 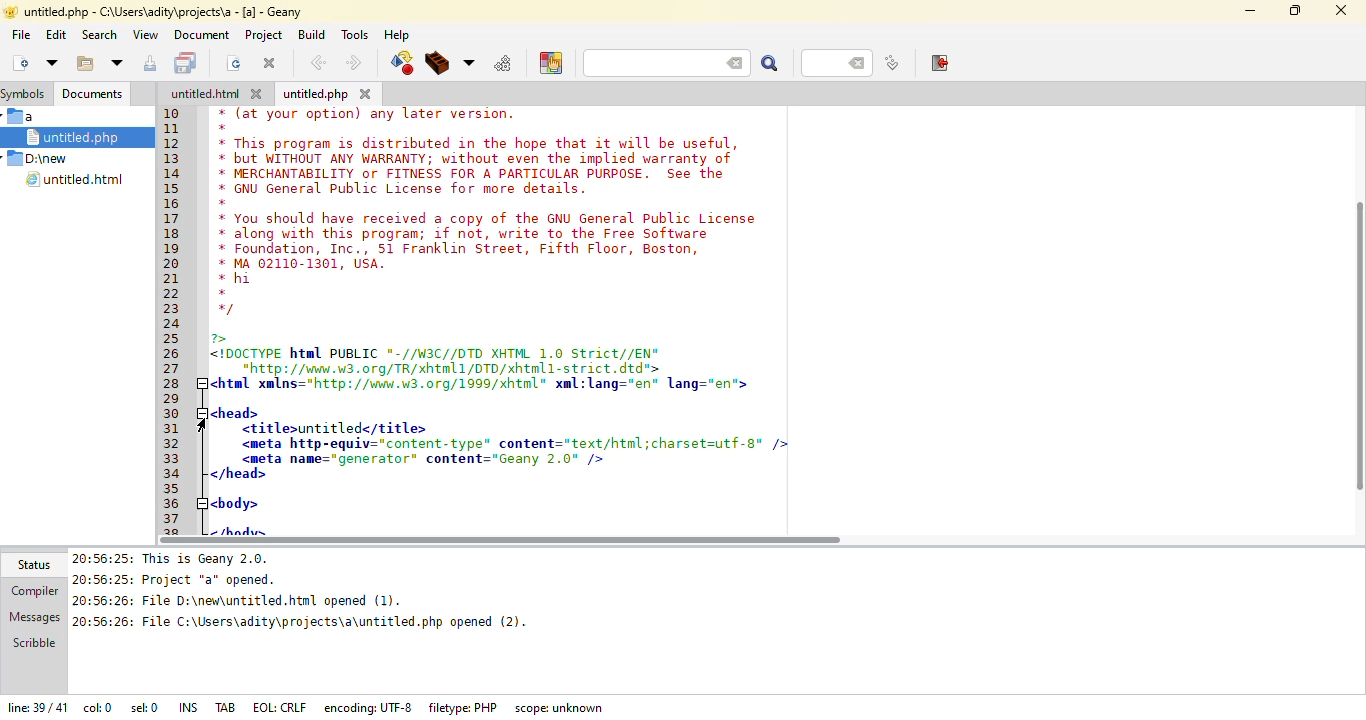 I want to click on collapse, so click(x=204, y=503).